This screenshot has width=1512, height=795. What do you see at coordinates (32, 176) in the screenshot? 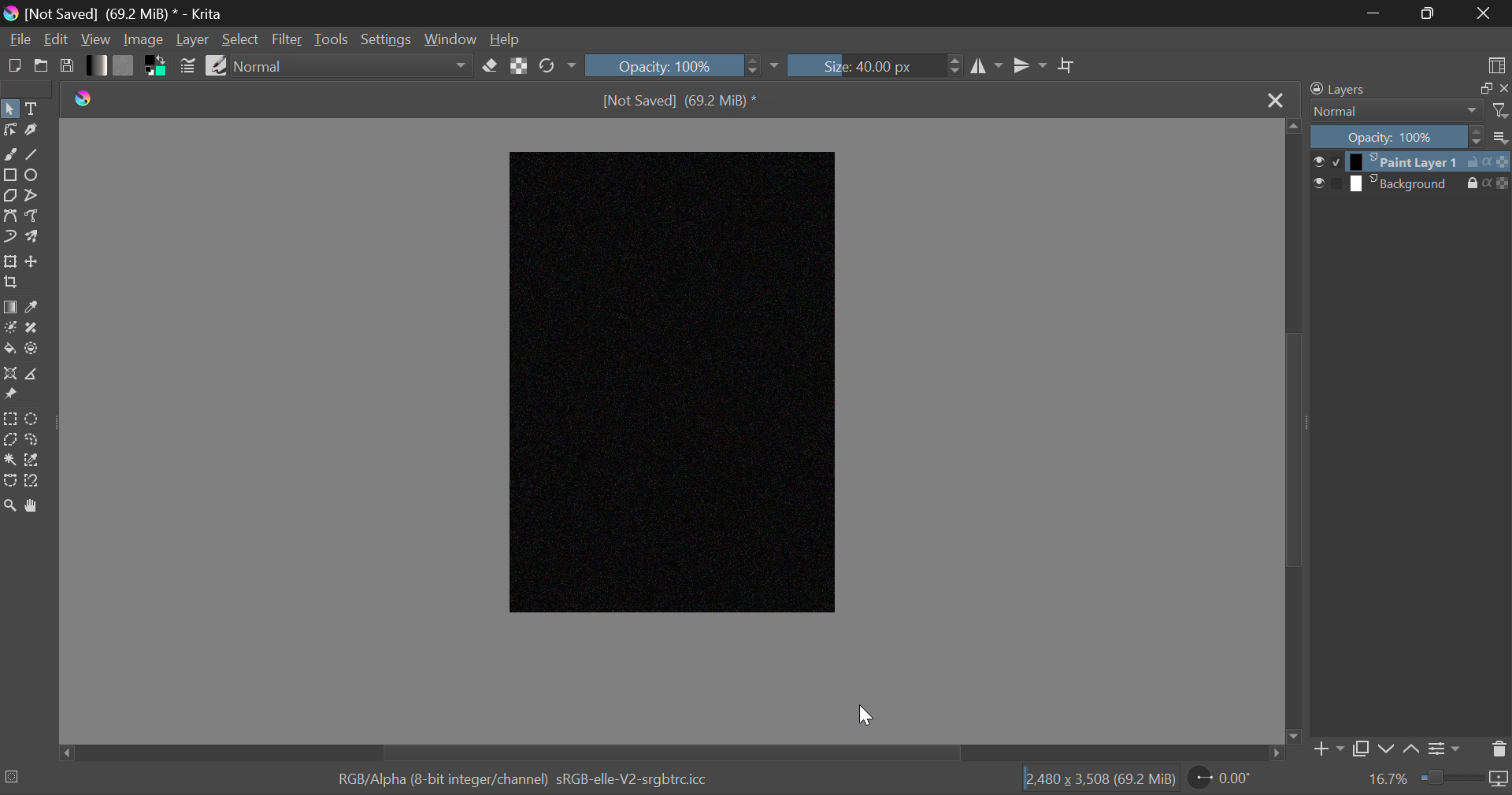
I see `Ellipses` at bounding box center [32, 176].